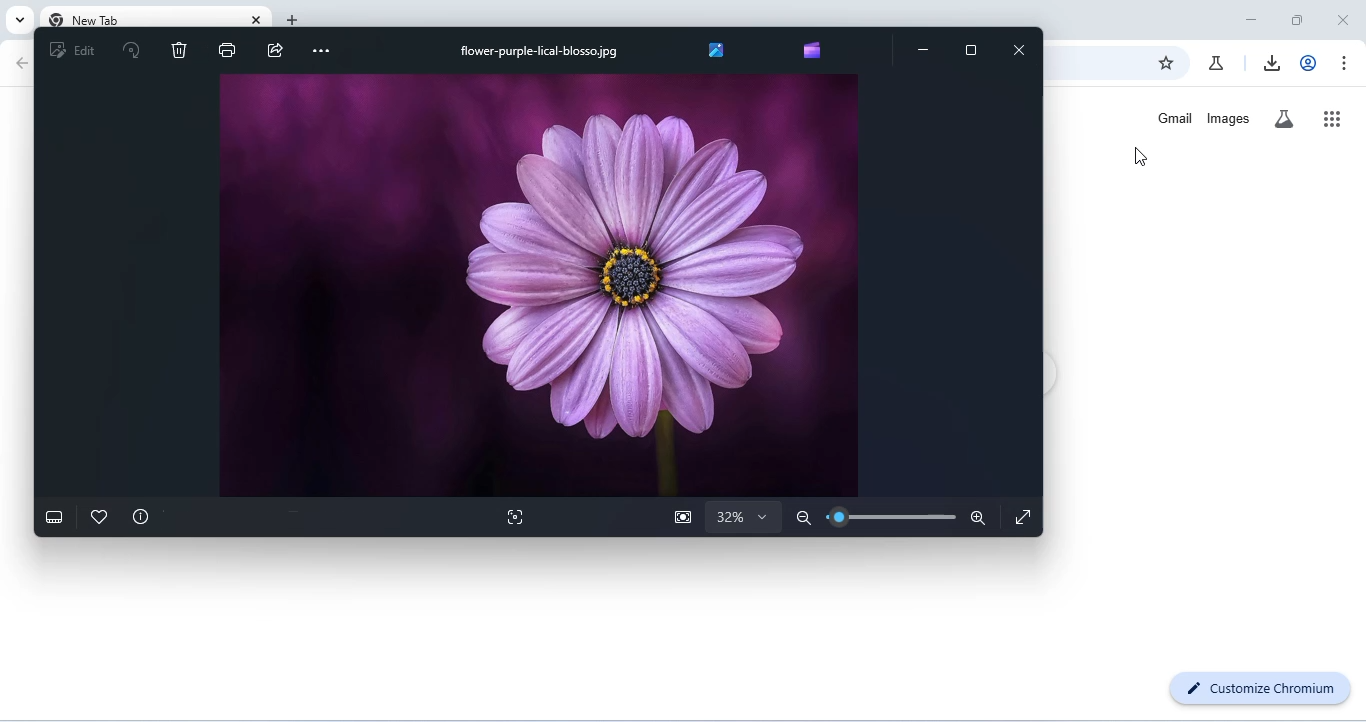 This screenshot has width=1366, height=722. Describe the element at coordinates (1217, 62) in the screenshot. I see `chrome labs` at that location.